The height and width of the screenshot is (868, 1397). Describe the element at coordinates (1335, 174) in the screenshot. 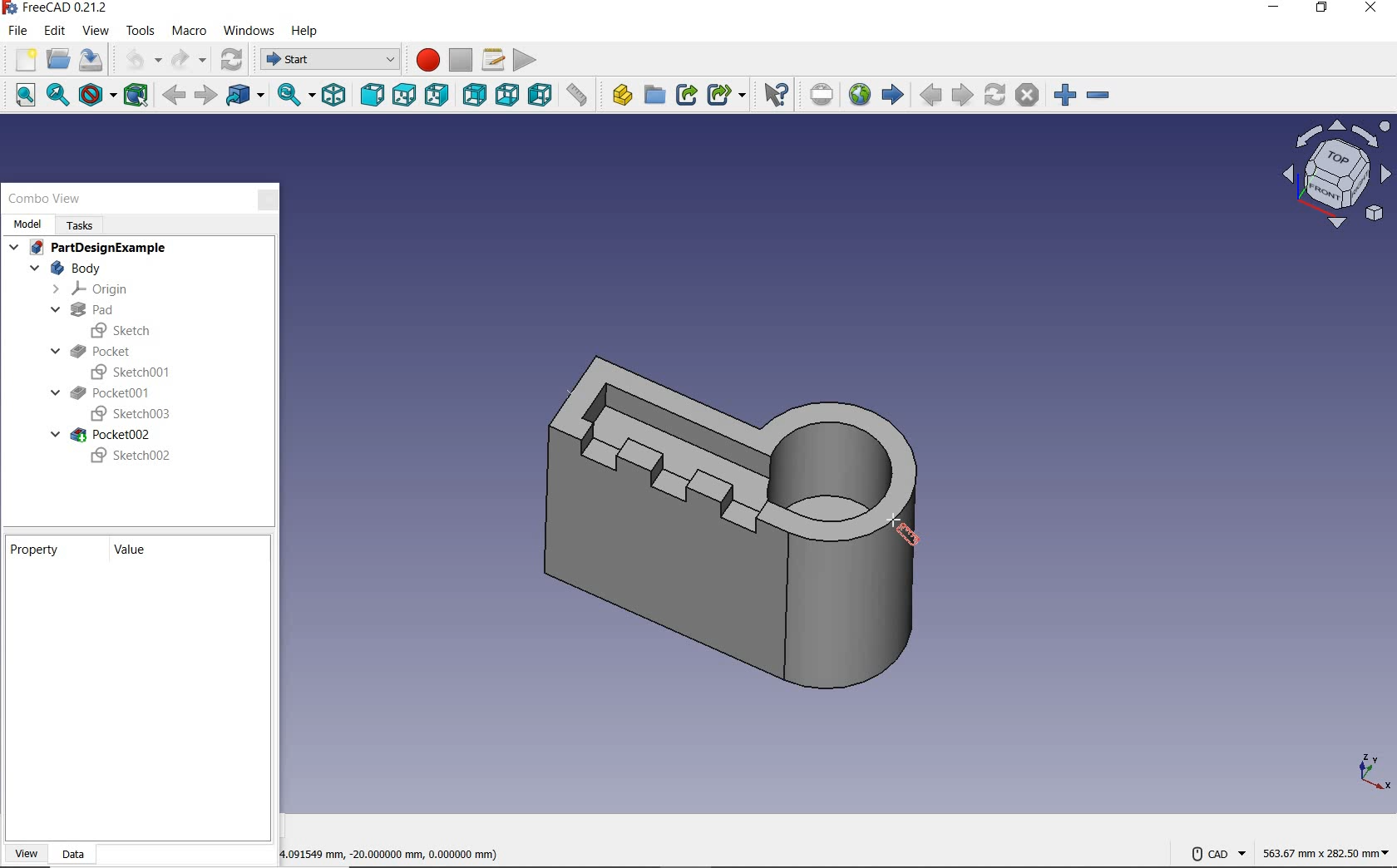

I see `workbench view` at that location.